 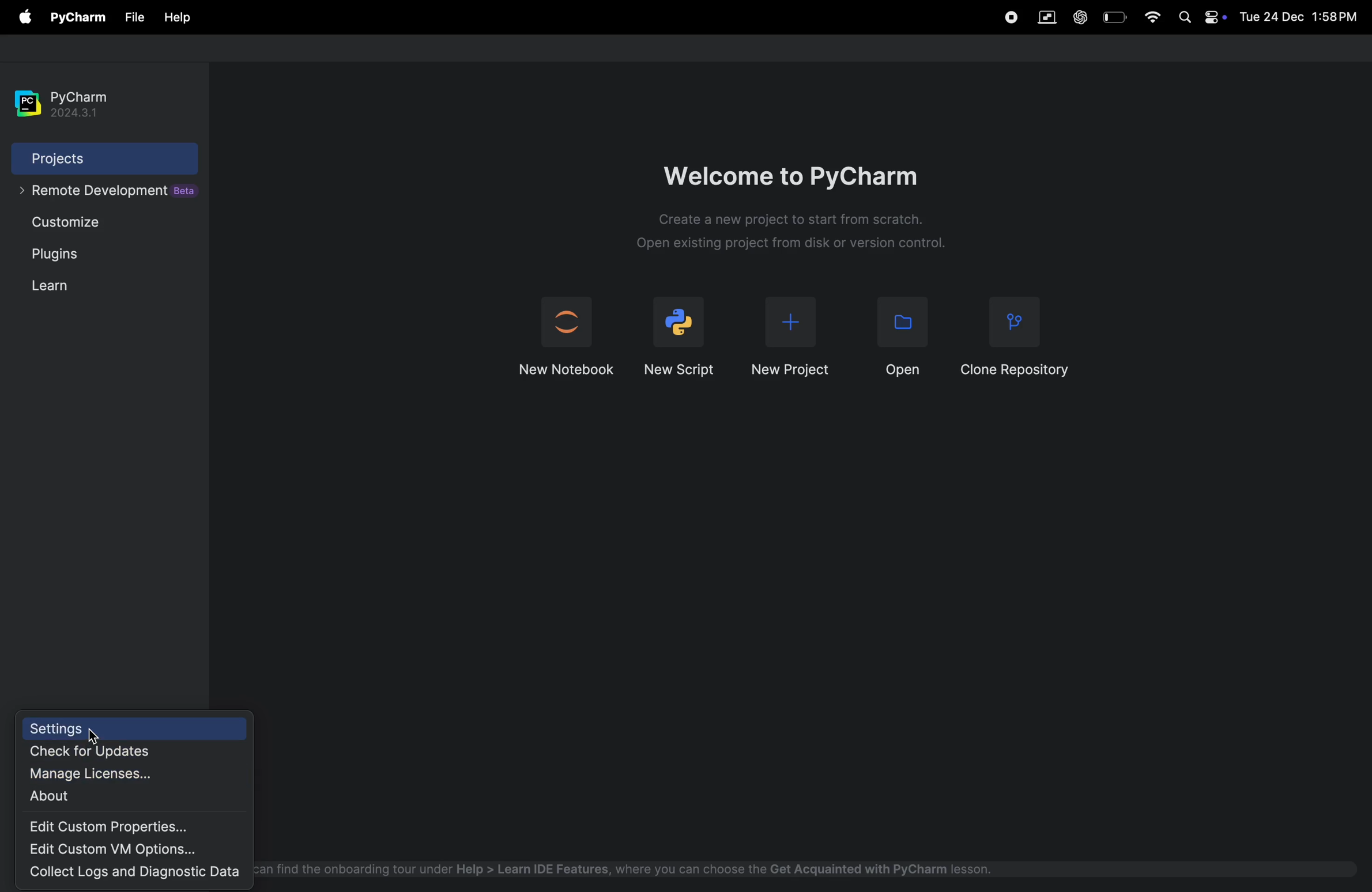 What do you see at coordinates (1081, 14) in the screenshot?
I see `chatgpt` at bounding box center [1081, 14].